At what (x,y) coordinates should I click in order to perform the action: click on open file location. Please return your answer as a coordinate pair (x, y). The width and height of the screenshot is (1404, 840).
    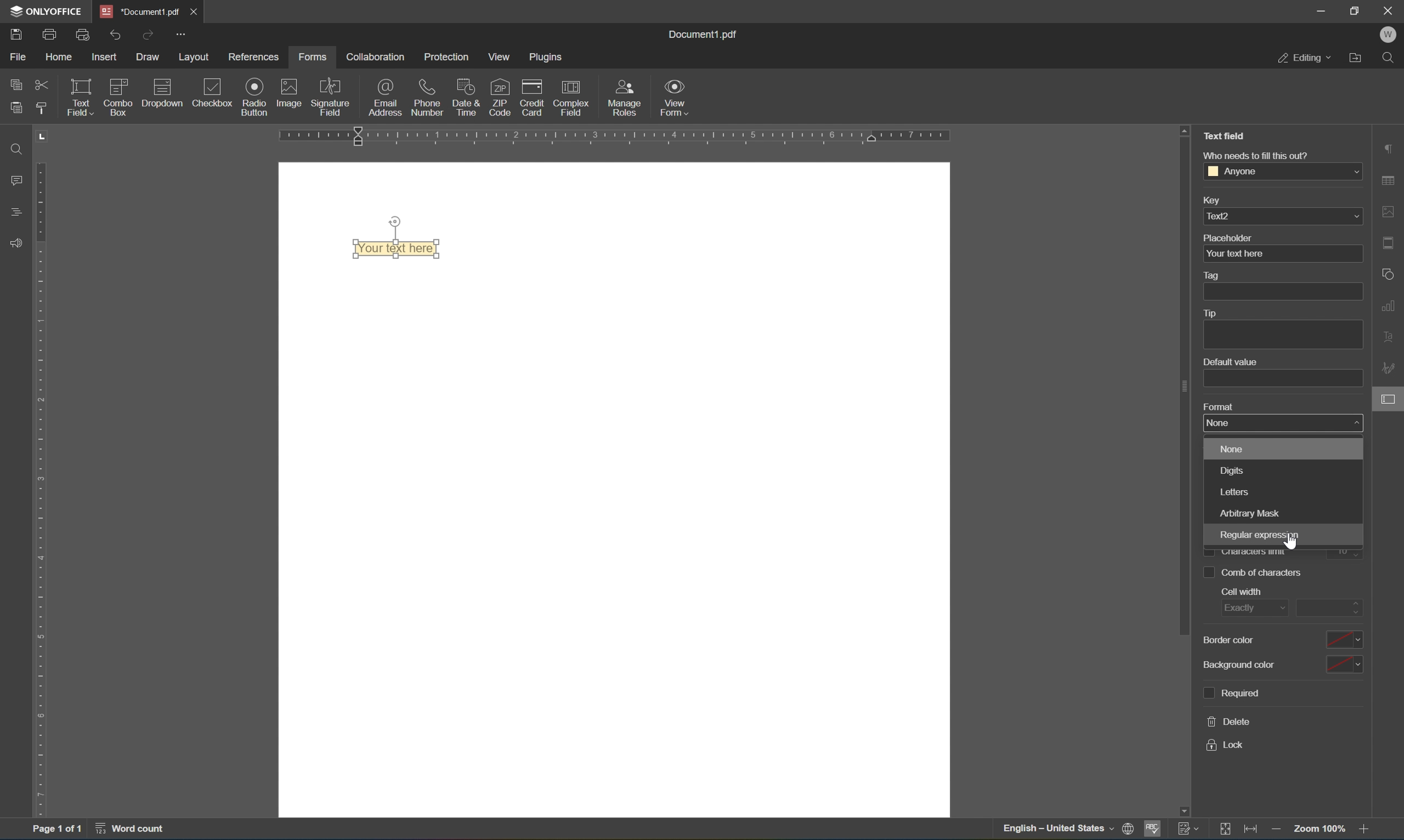
    Looking at the image, I should click on (1358, 59).